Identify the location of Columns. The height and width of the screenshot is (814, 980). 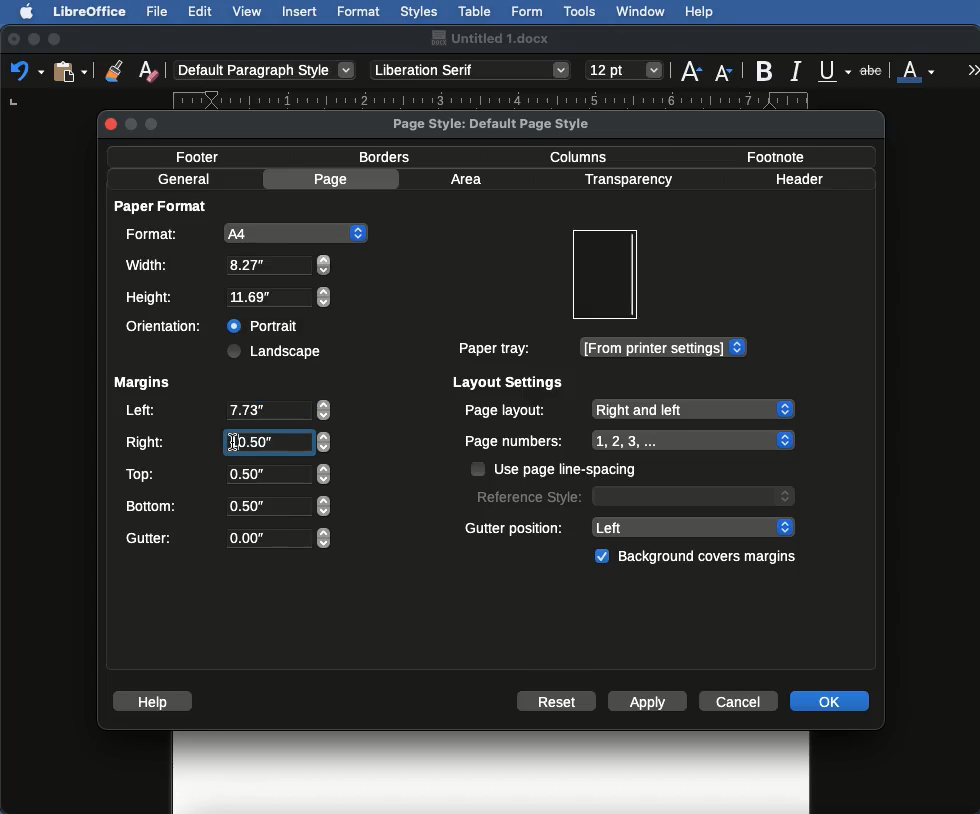
(584, 155).